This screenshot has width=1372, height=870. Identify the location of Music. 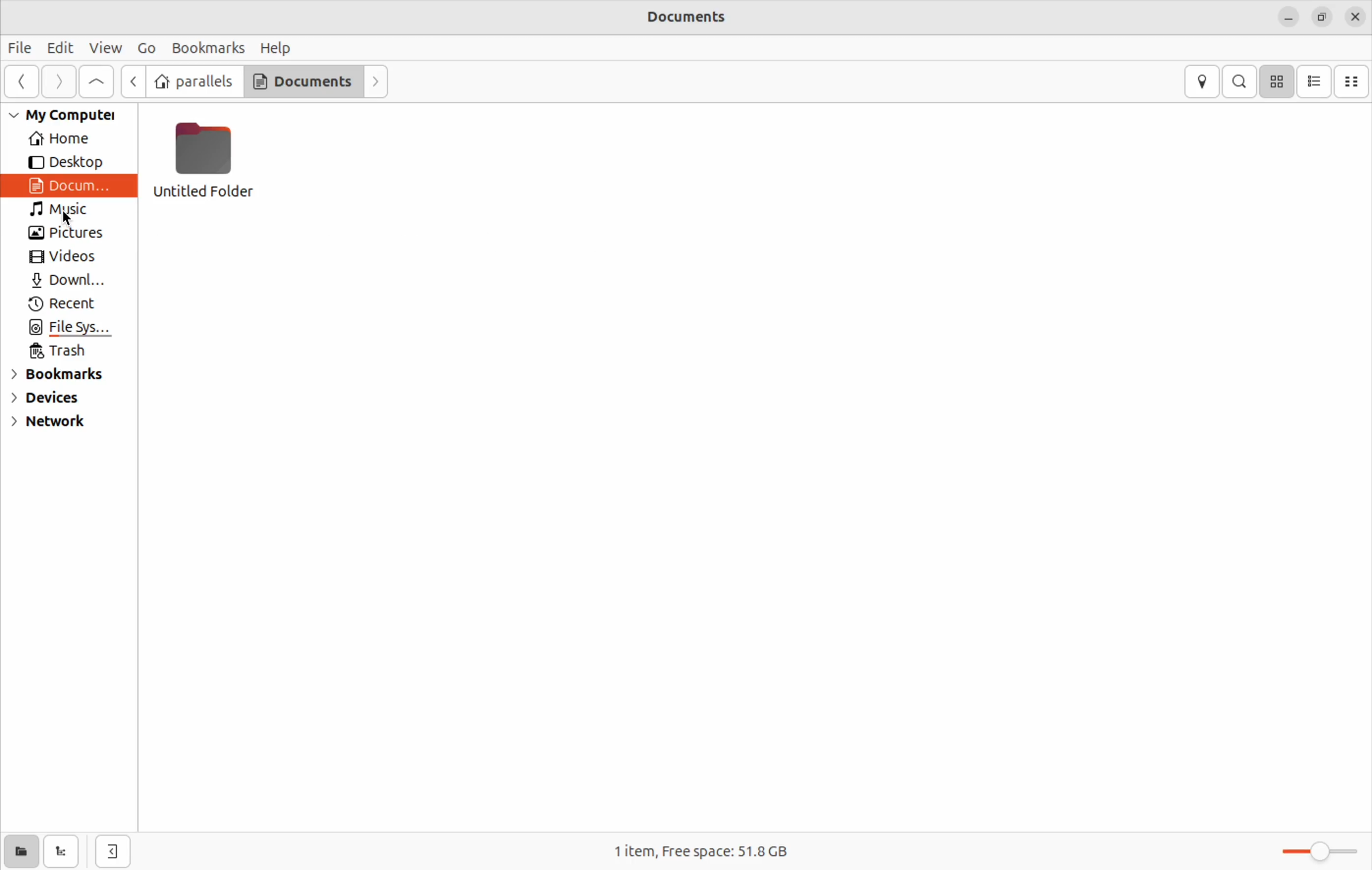
(59, 209).